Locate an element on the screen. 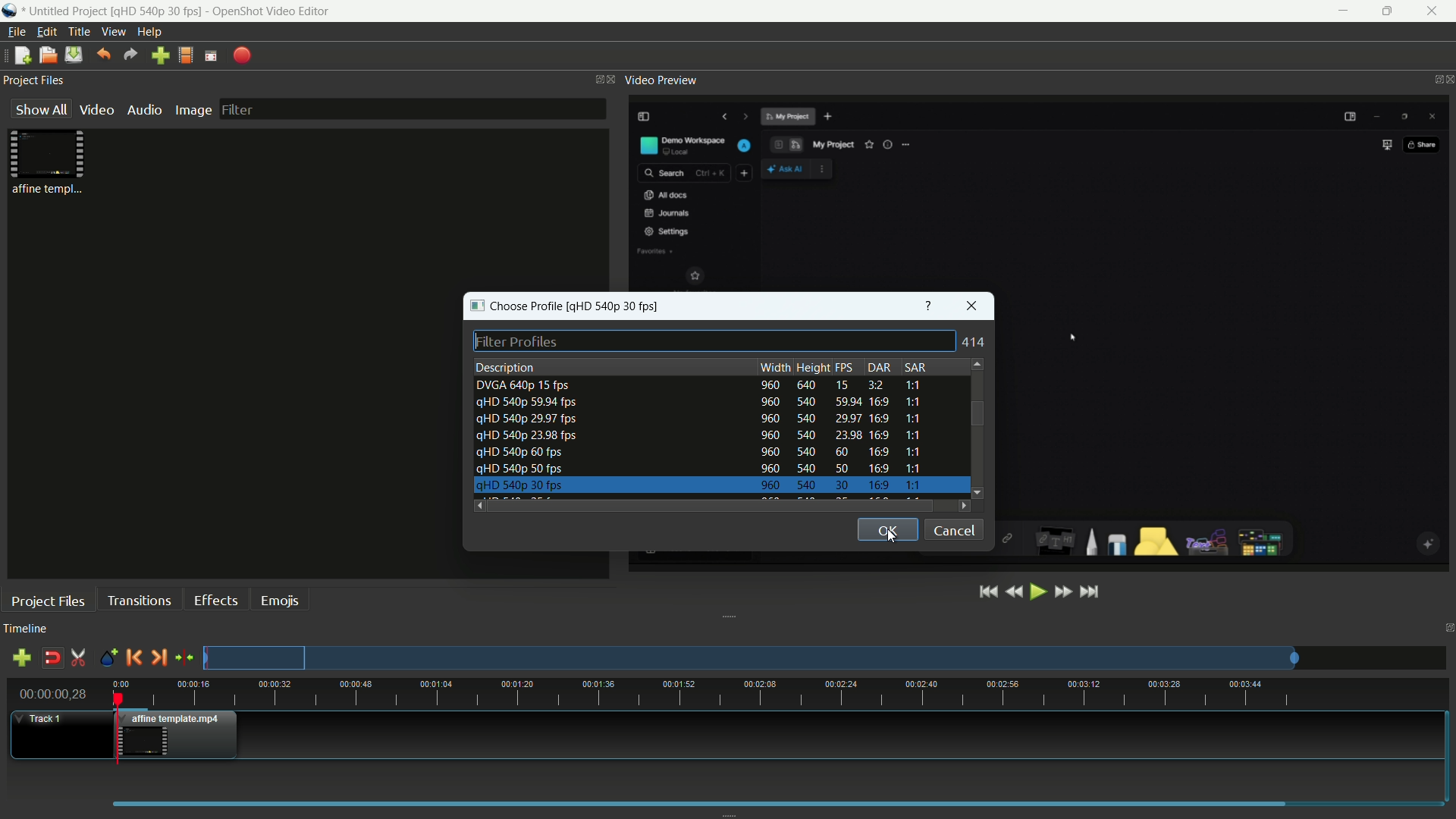 The height and width of the screenshot is (819, 1456). filter bar is located at coordinates (412, 108).